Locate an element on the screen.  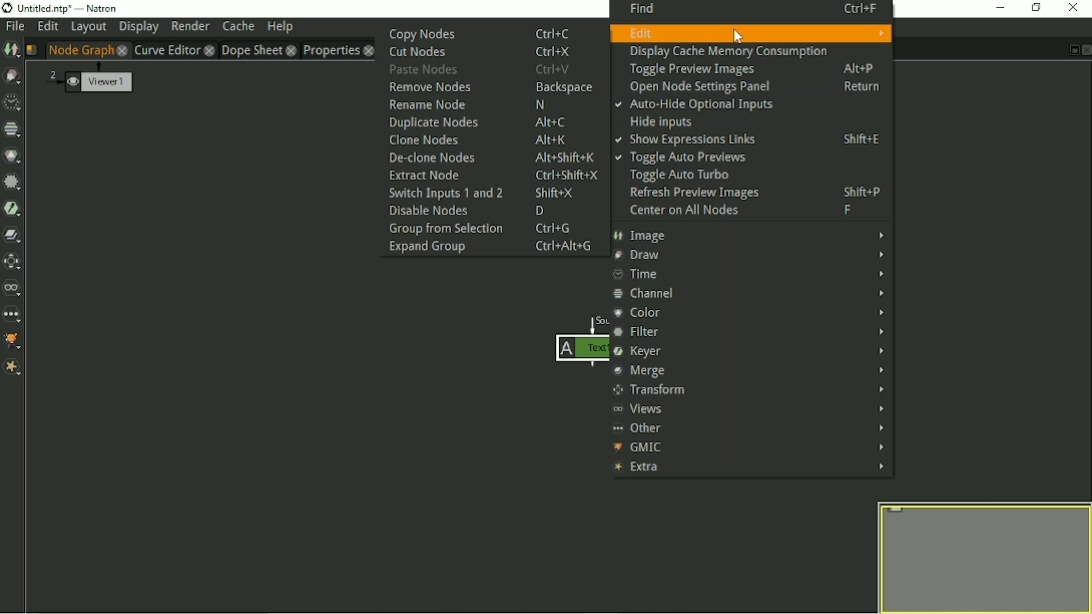
Show Expressions Links is located at coordinates (753, 140).